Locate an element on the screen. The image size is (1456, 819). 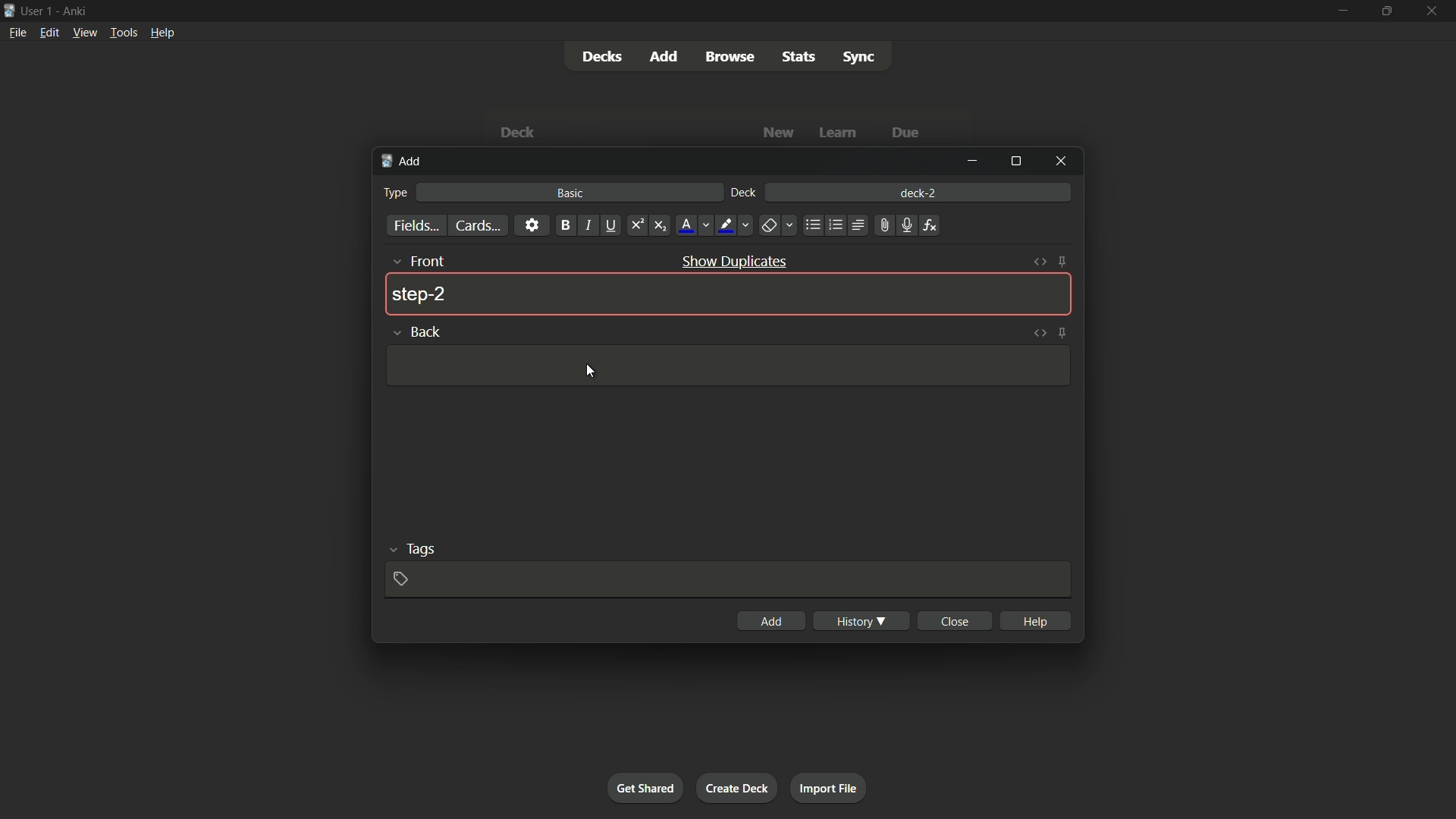
help menu is located at coordinates (163, 32).